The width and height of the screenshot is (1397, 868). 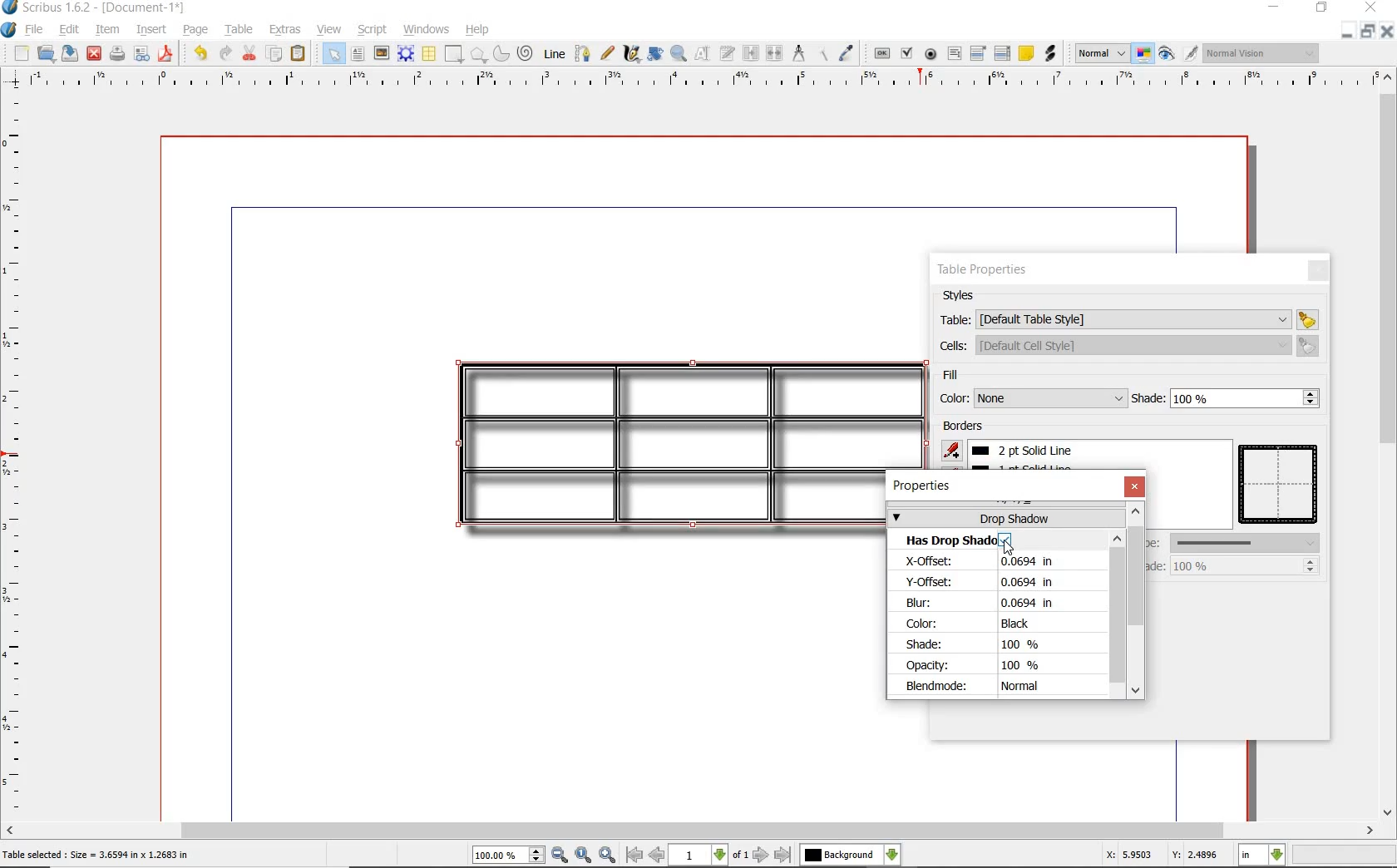 I want to click on system logo, so click(x=9, y=30).